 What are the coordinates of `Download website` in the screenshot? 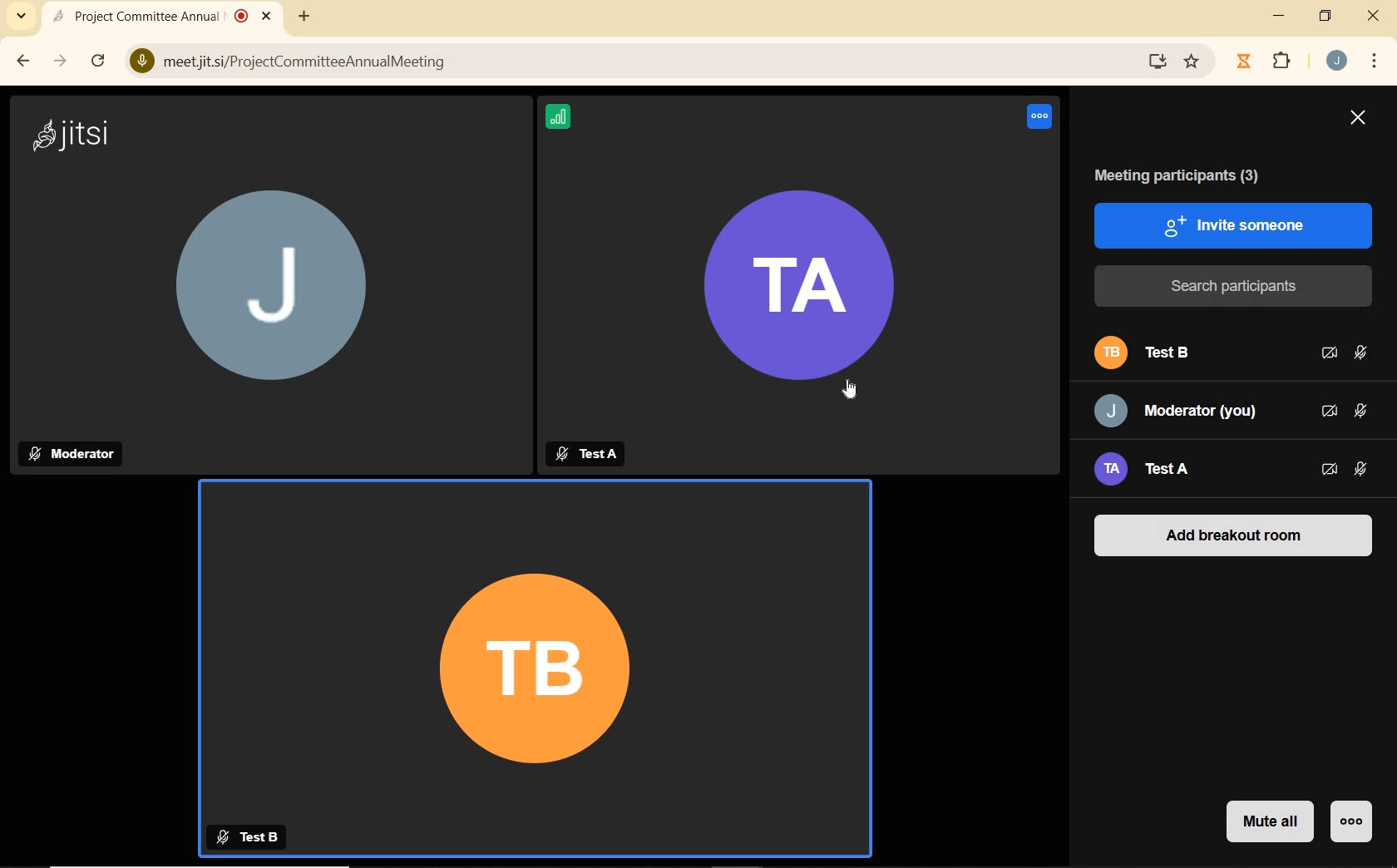 It's located at (1155, 62).